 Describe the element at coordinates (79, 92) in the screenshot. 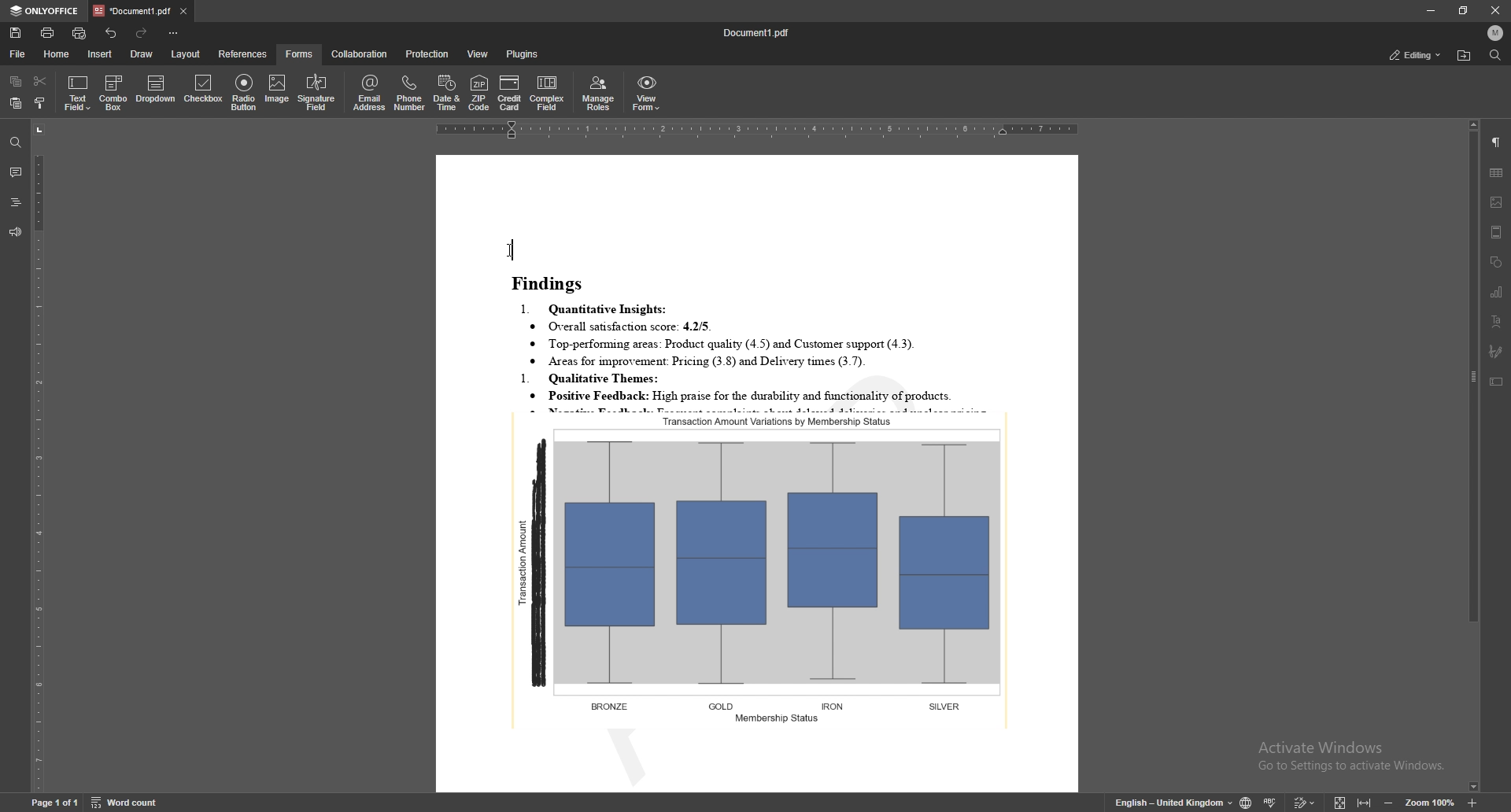

I see `text field` at that location.